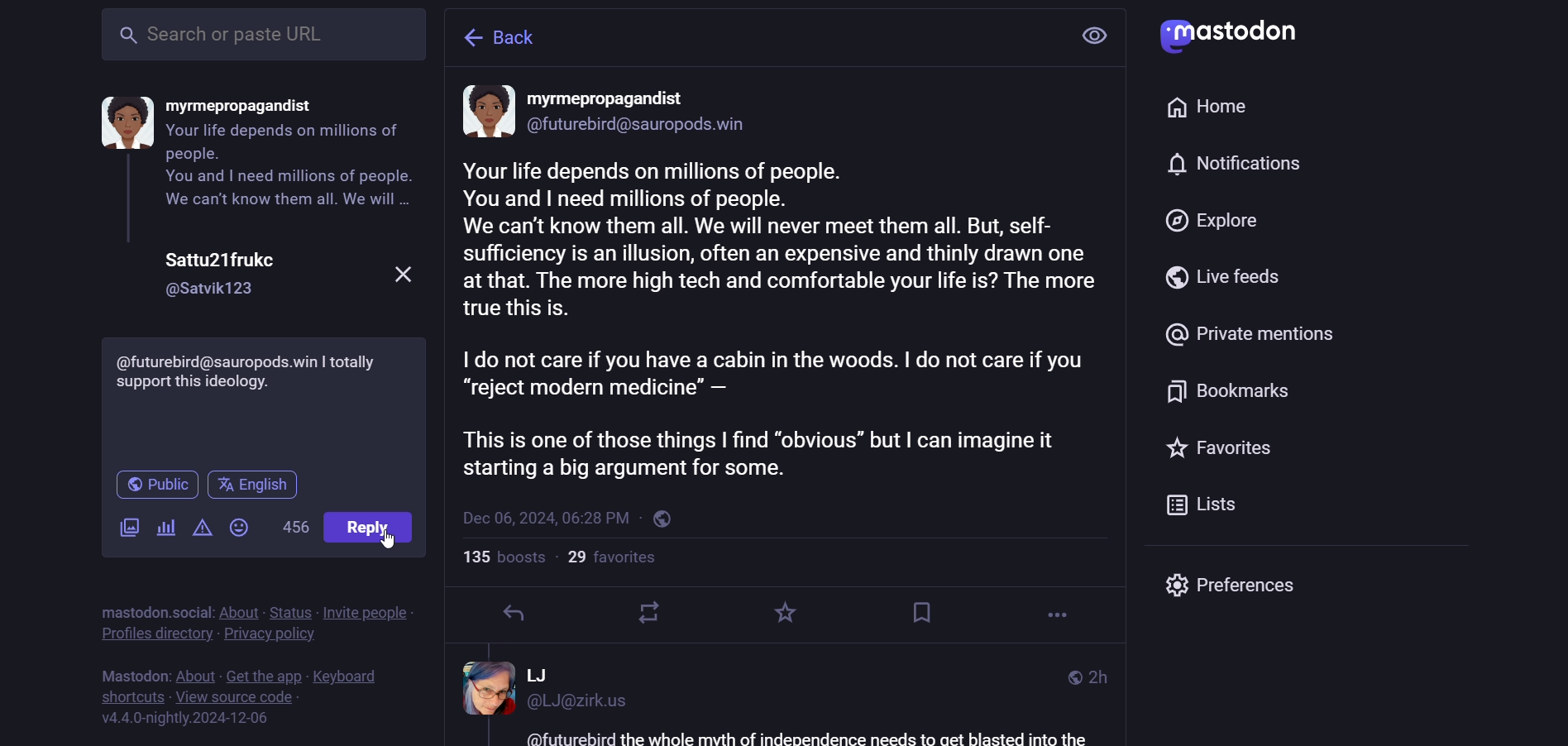 The height and width of the screenshot is (746, 1568). Describe the element at coordinates (240, 698) in the screenshot. I see `source code` at that location.